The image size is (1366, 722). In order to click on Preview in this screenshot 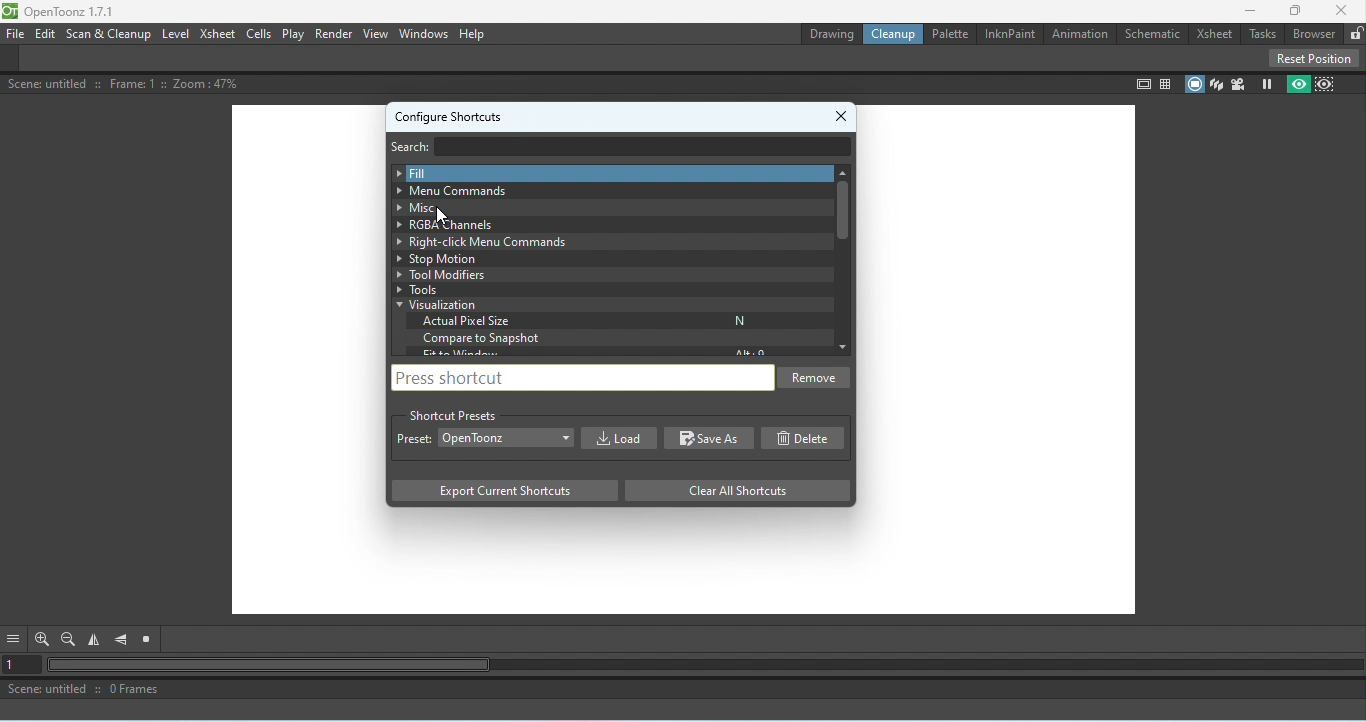, I will do `click(1296, 85)`.